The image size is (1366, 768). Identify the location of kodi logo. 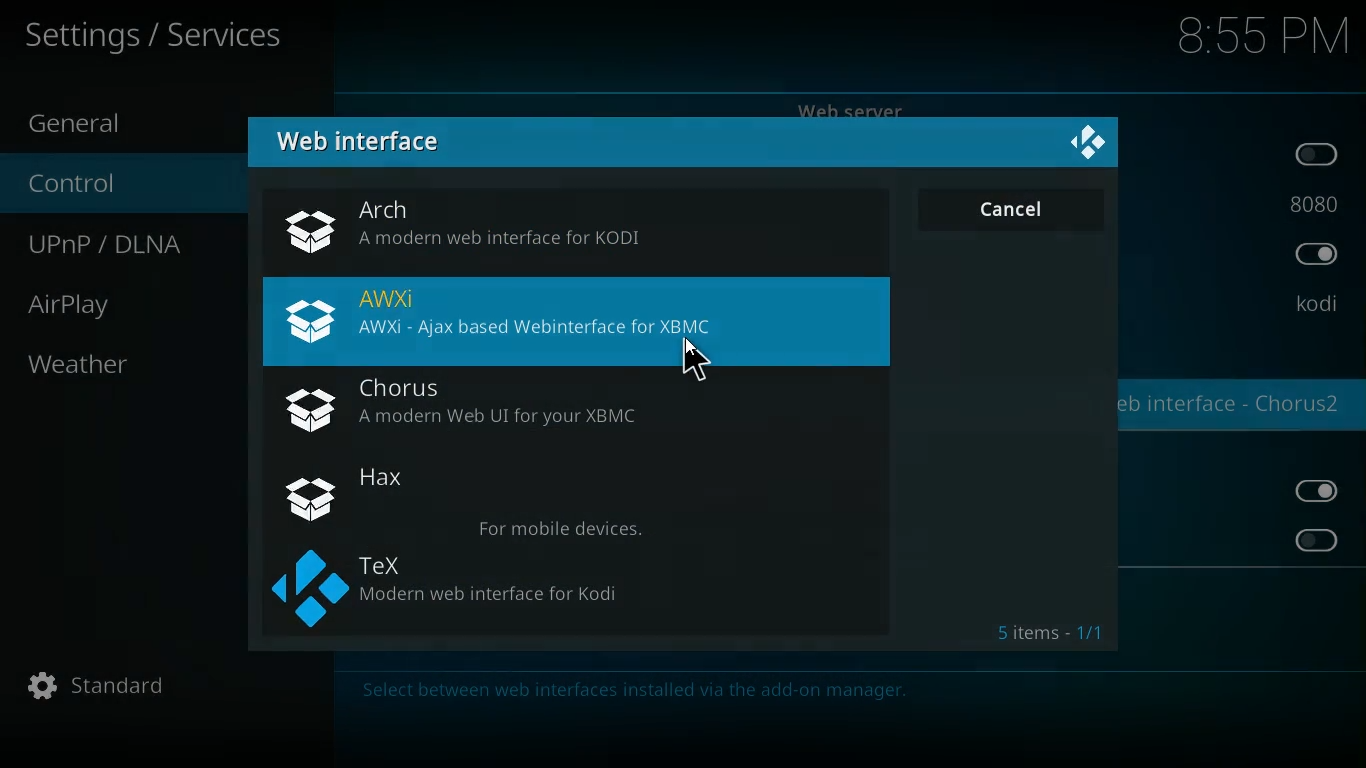
(1088, 144).